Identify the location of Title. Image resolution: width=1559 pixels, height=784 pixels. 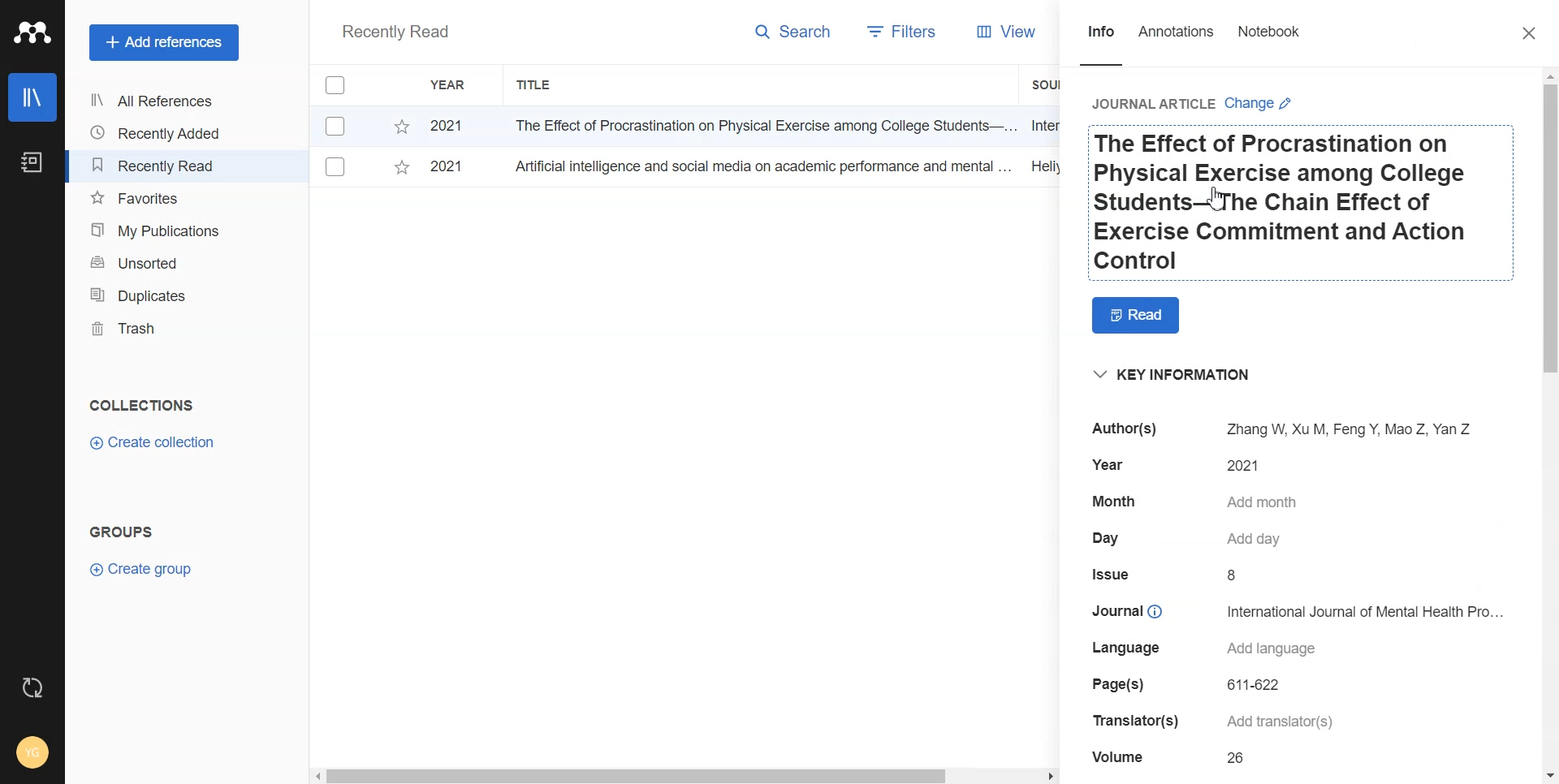
(535, 85).